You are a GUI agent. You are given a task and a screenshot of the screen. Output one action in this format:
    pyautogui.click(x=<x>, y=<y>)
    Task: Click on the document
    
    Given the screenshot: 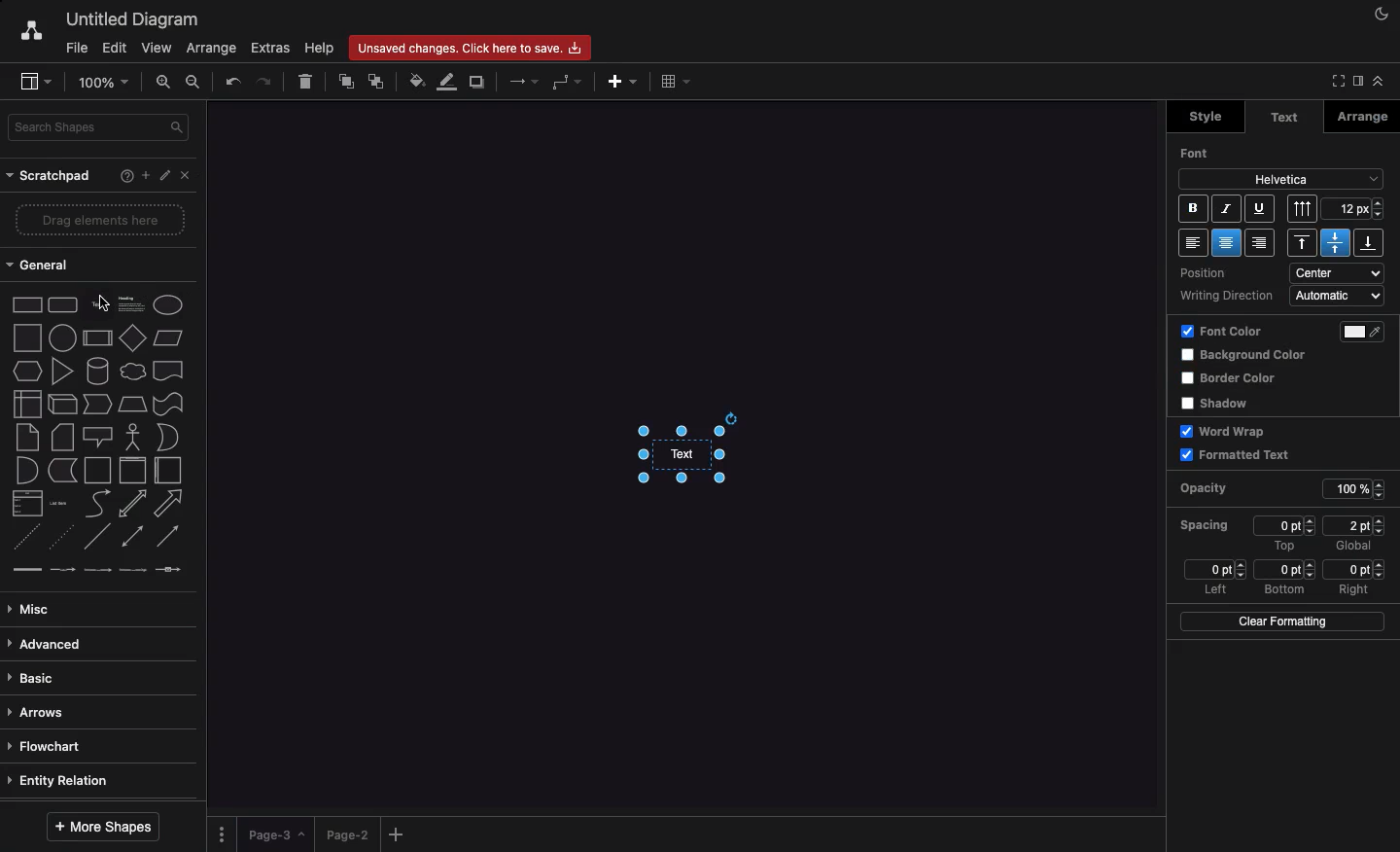 What is the action you would take?
    pyautogui.click(x=169, y=371)
    